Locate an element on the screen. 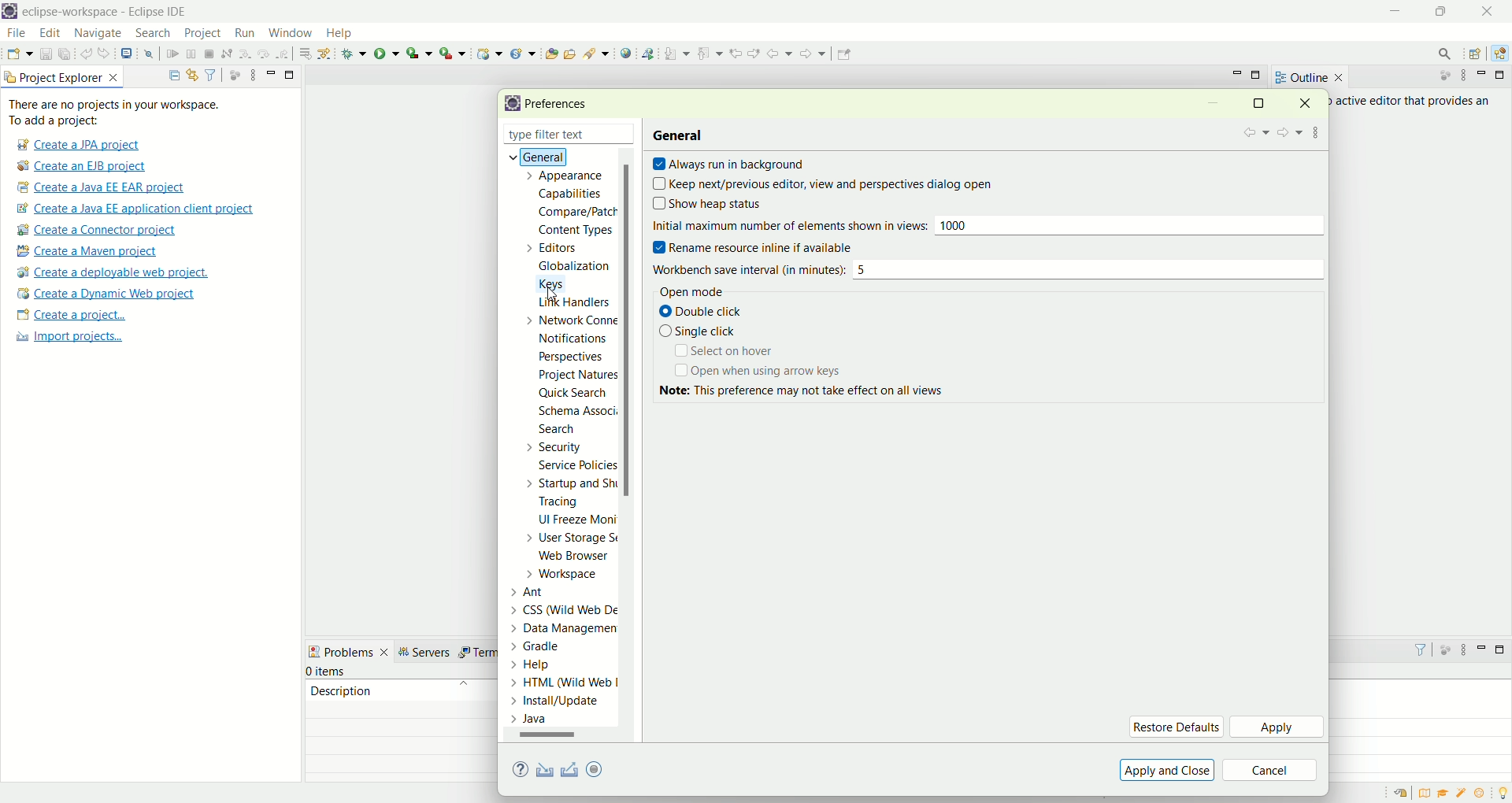  create a dynamic web project is located at coordinates (487, 52).